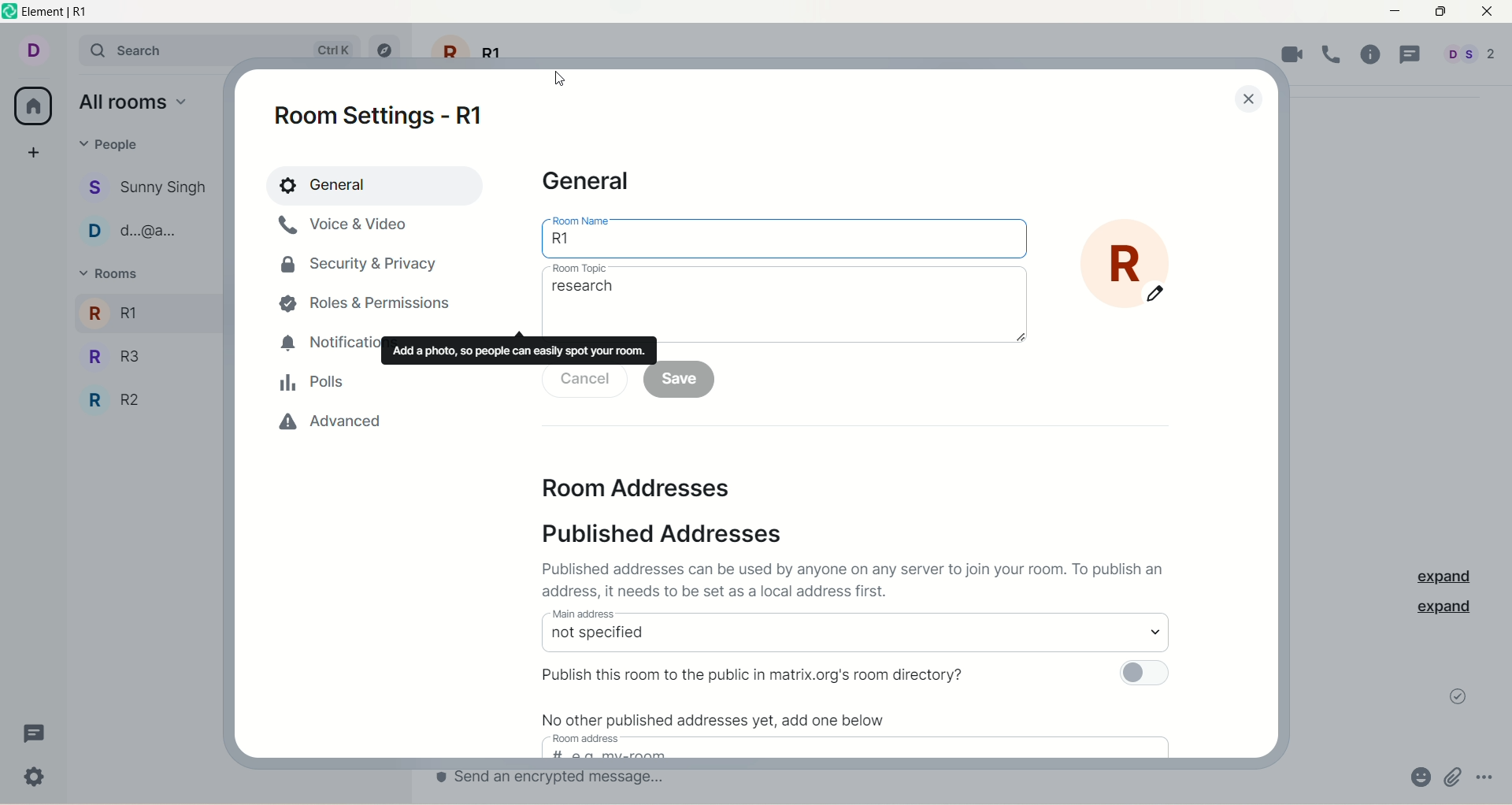 The width and height of the screenshot is (1512, 805). I want to click on account, so click(1468, 57).